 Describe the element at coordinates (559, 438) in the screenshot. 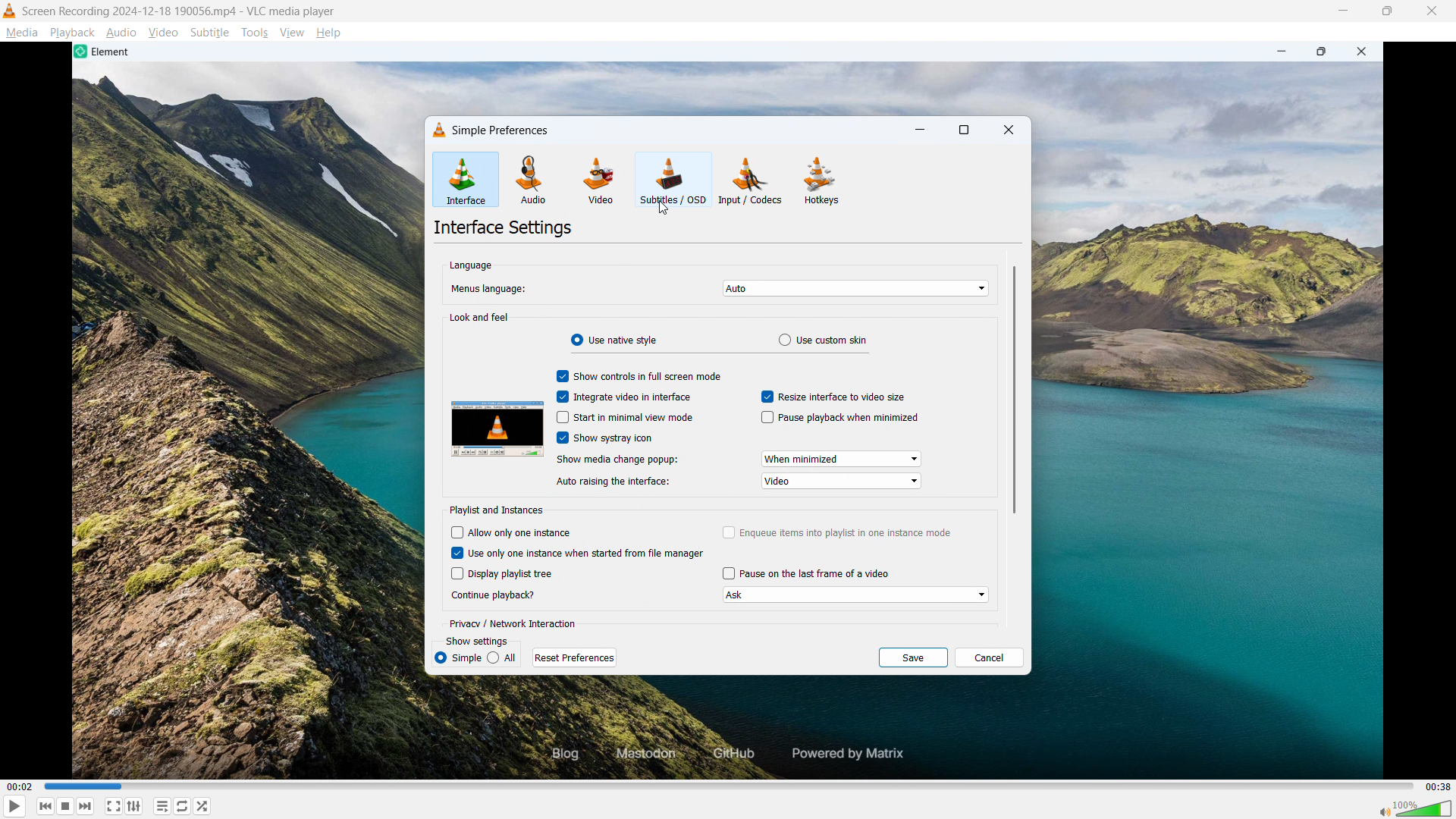

I see `checkbox` at that location.